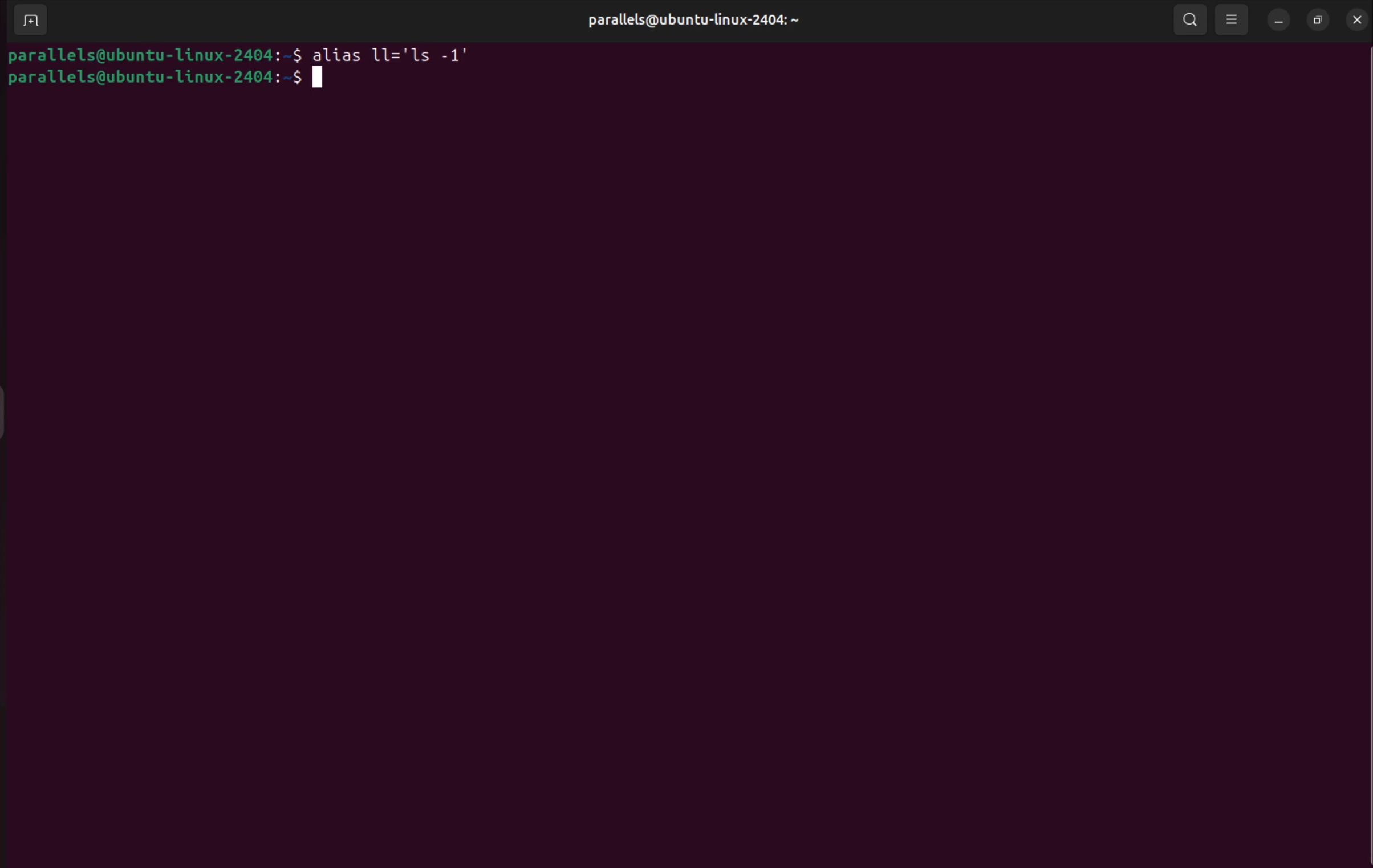  I want to click on search , so click(1191, 19).